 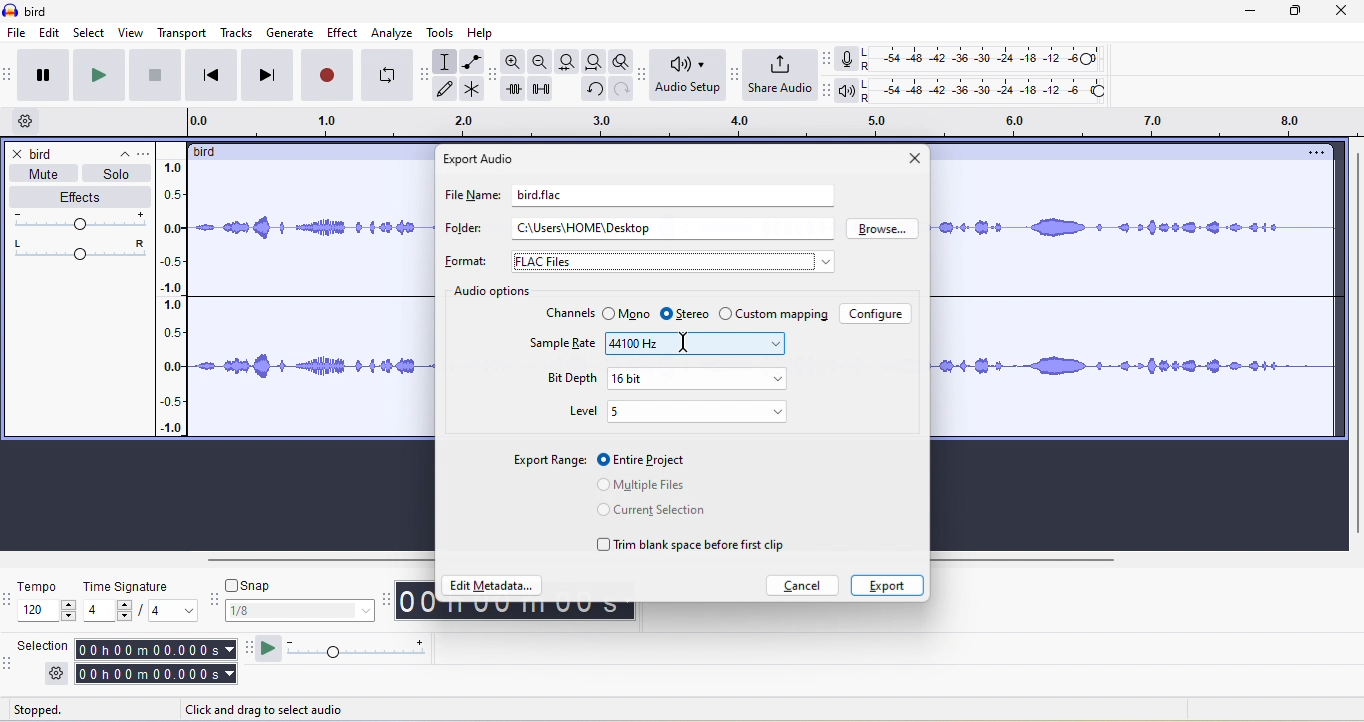 I want to click on bit depth, so click(x=568, y=376).